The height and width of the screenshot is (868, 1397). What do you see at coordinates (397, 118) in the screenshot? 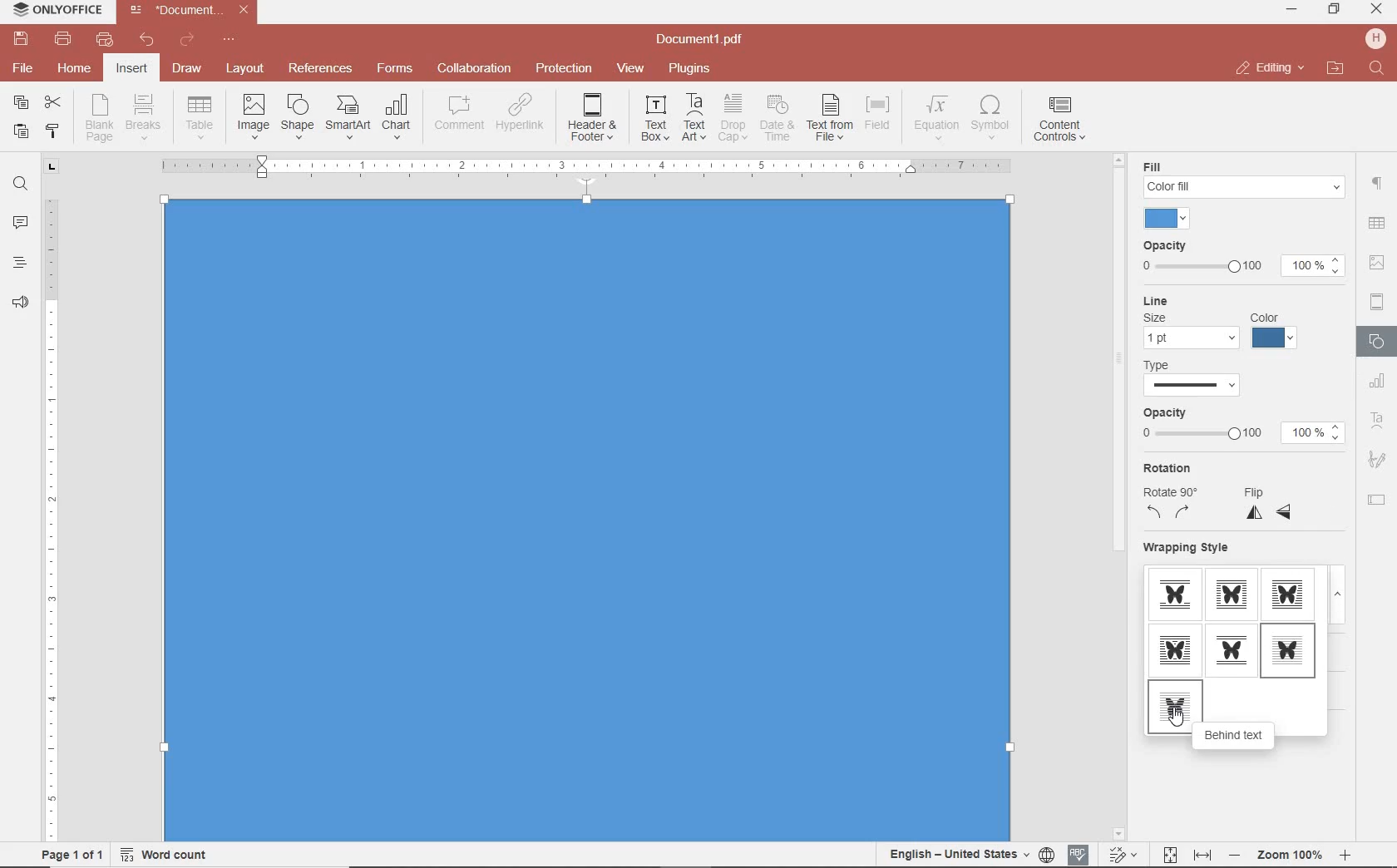
I see `INSERT CHAT` at bounding box center [397, 118].